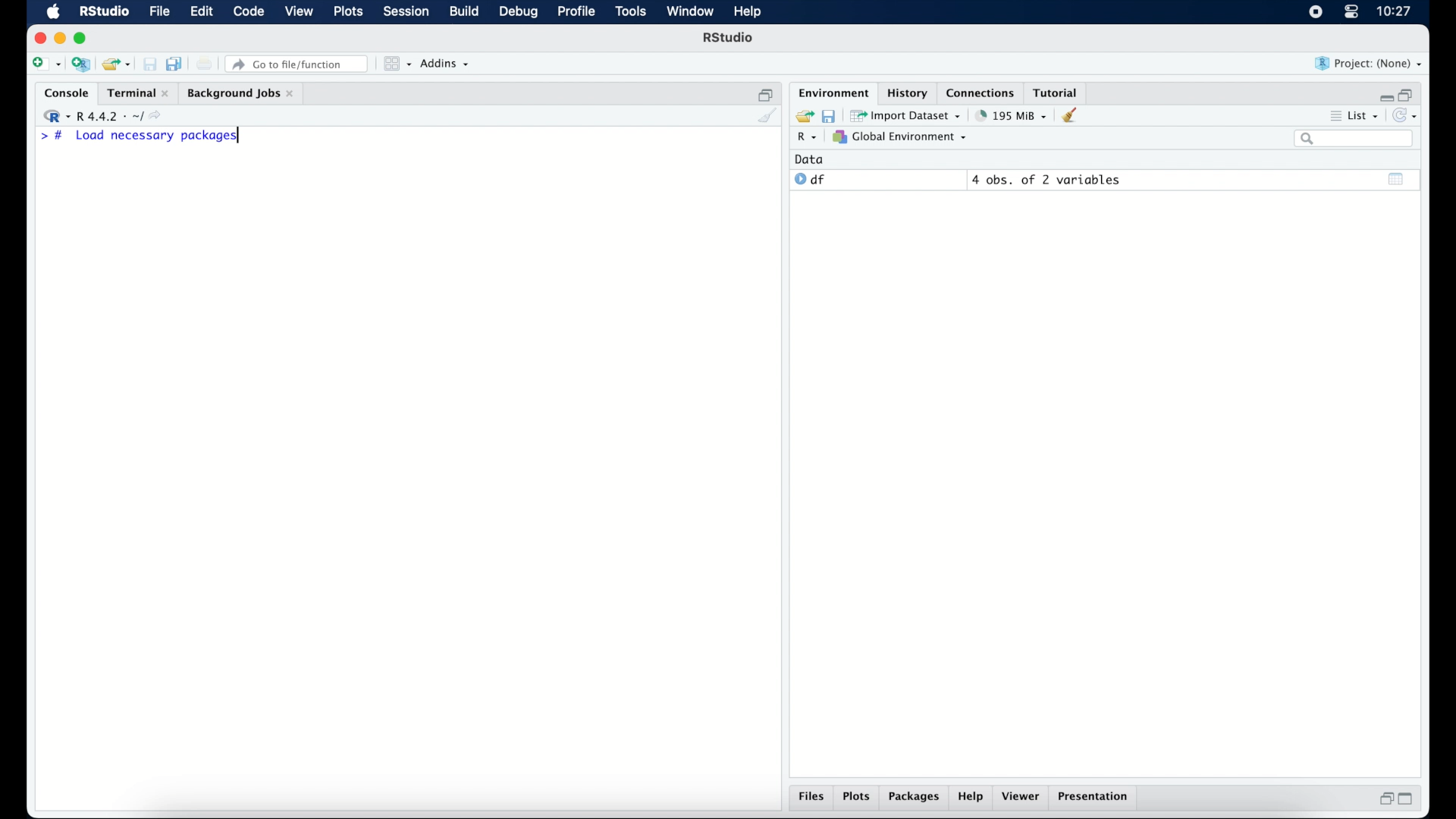 The image size is (1456, 819). What do you see at coordinates (766, 93) in the screenshot?
I see `restore down` at bounding box center [766, 93].